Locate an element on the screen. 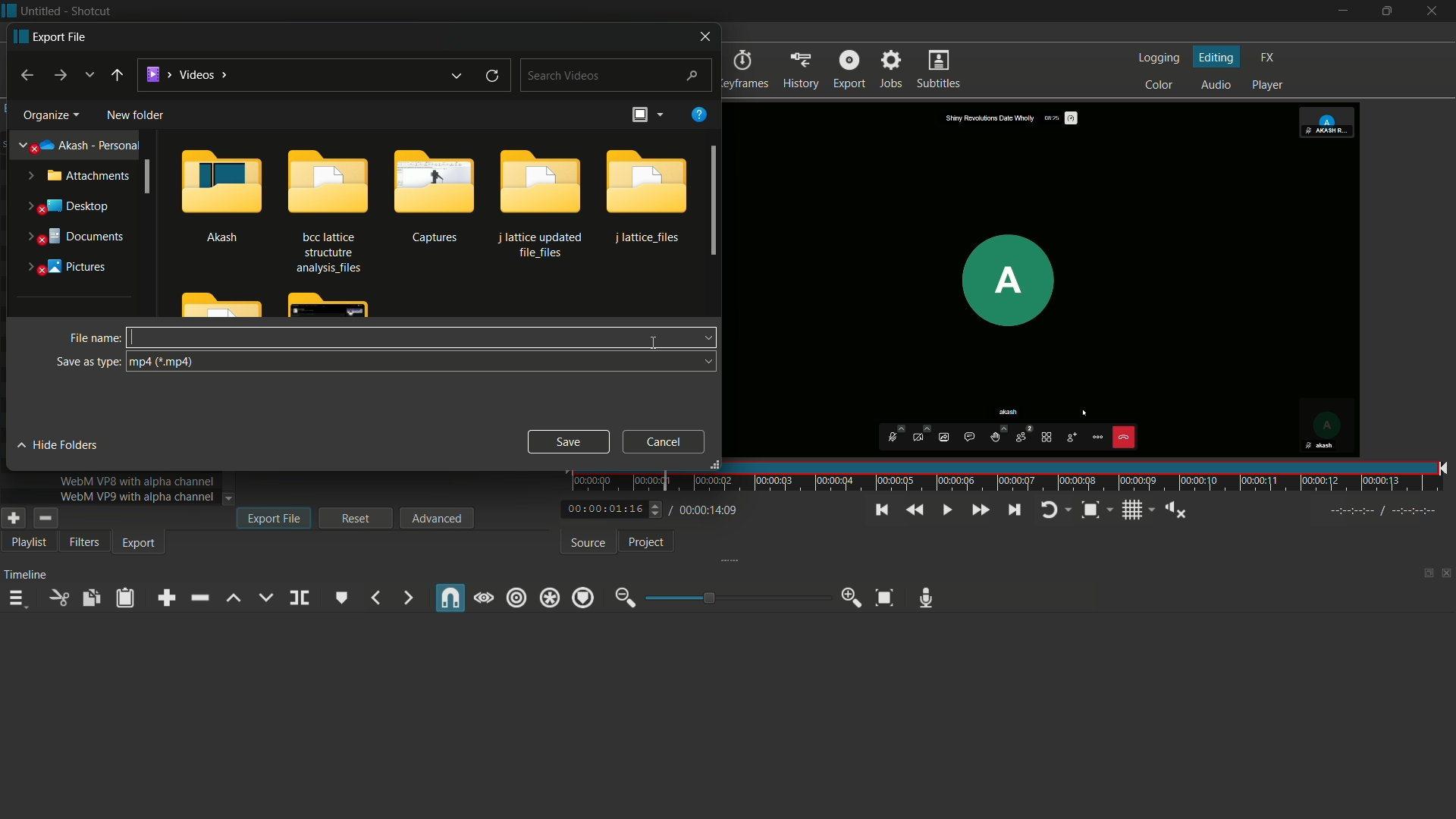 This screenshot has width=1456, height=819. player is located at coordinates (1269, 86).